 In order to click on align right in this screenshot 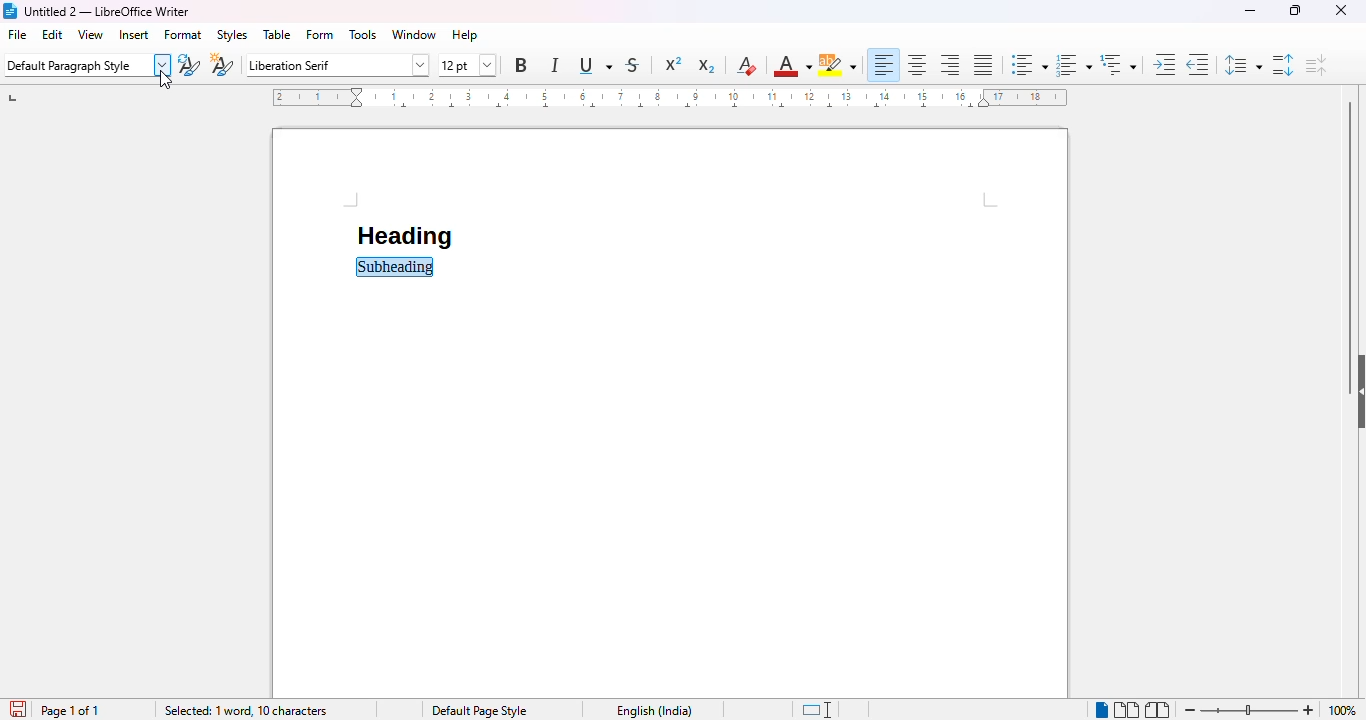, I will do `click(949, 66)`.